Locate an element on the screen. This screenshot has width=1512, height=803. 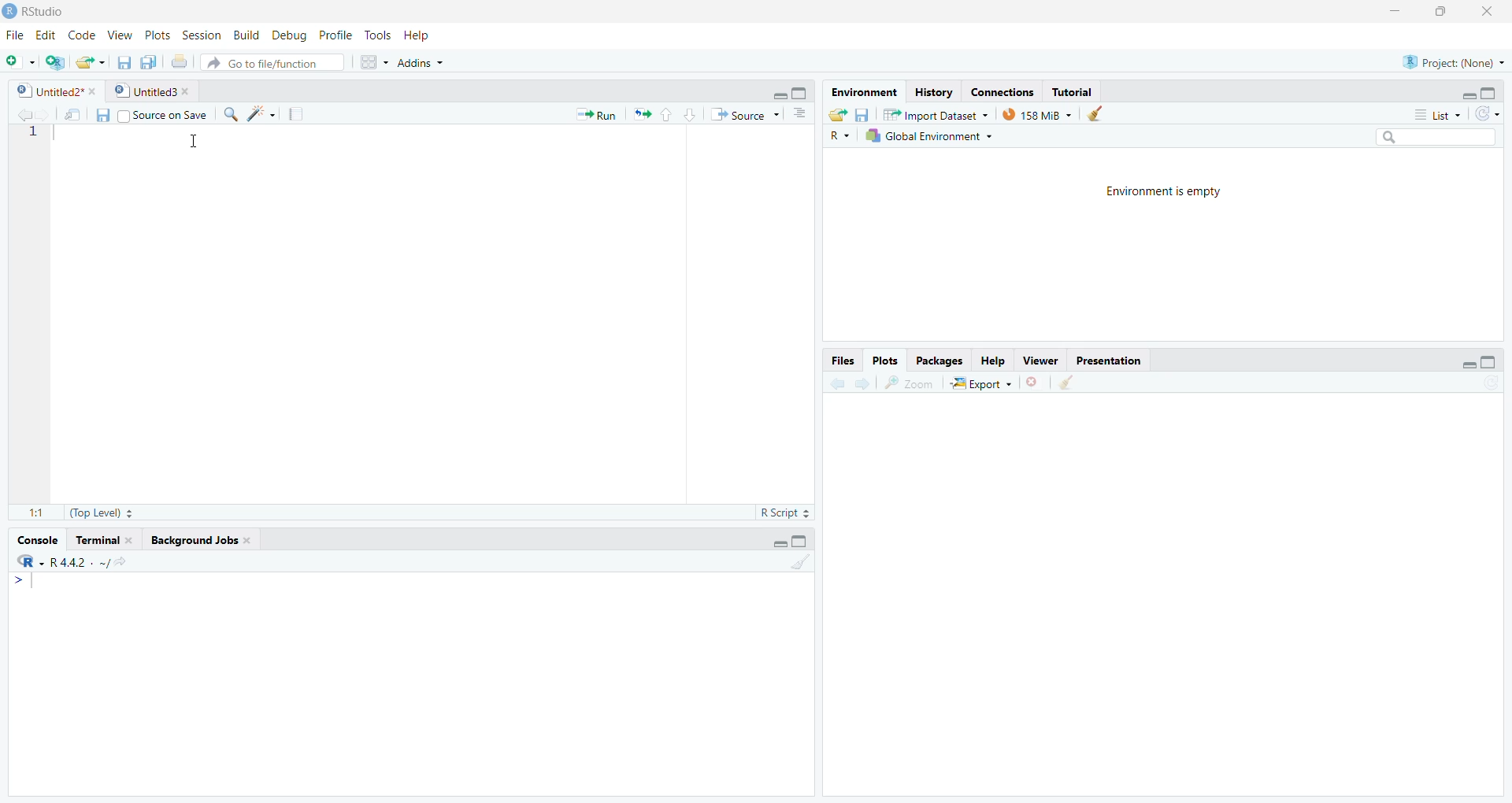
save all documents is located at coordinates (146, 61).